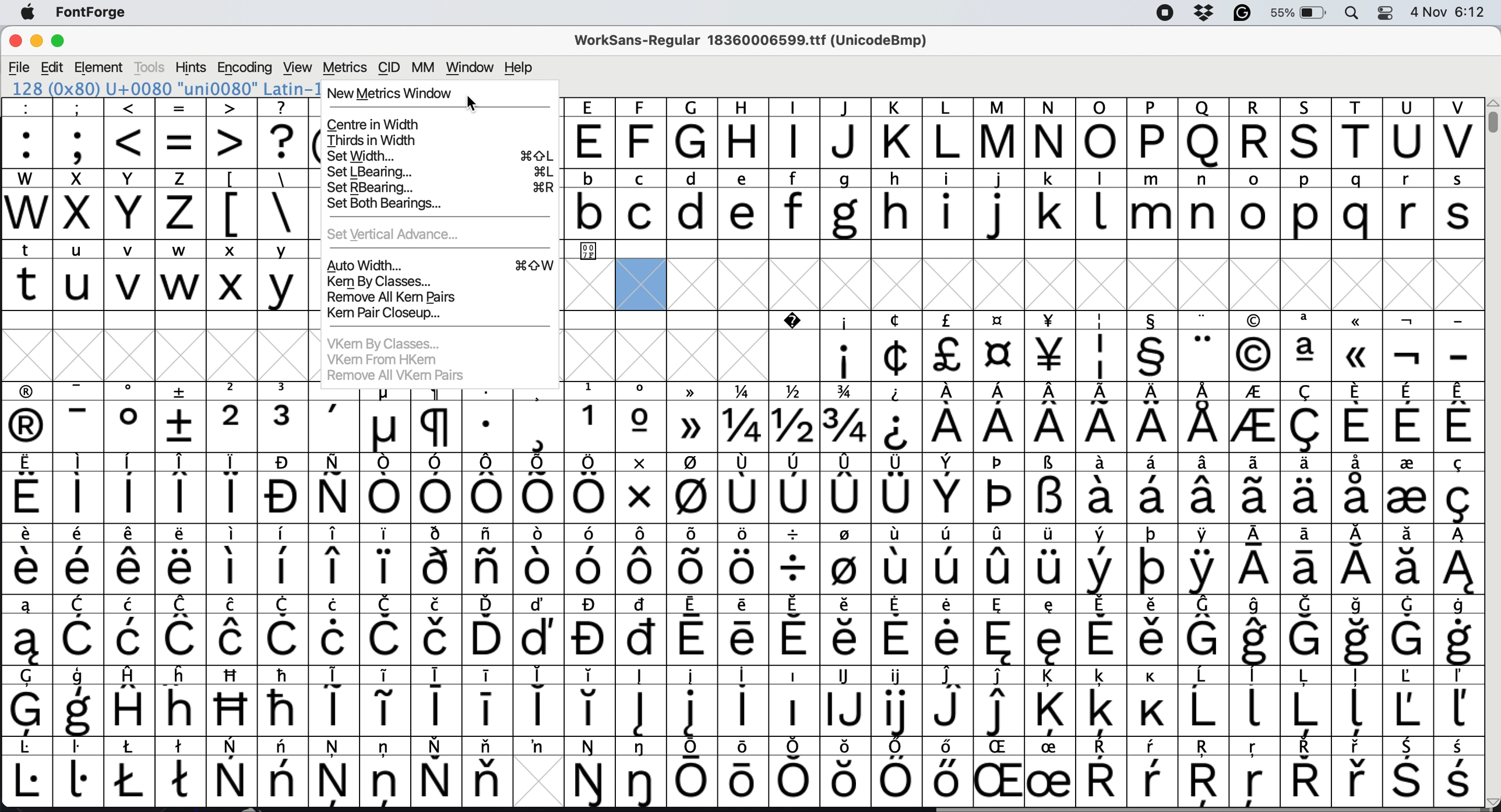 This screenshot has height=812, width=1501. What do you see at coordinates (389, 358) in the screenshot?
I see `vkem from hkem` at bounding box center [389, 358].